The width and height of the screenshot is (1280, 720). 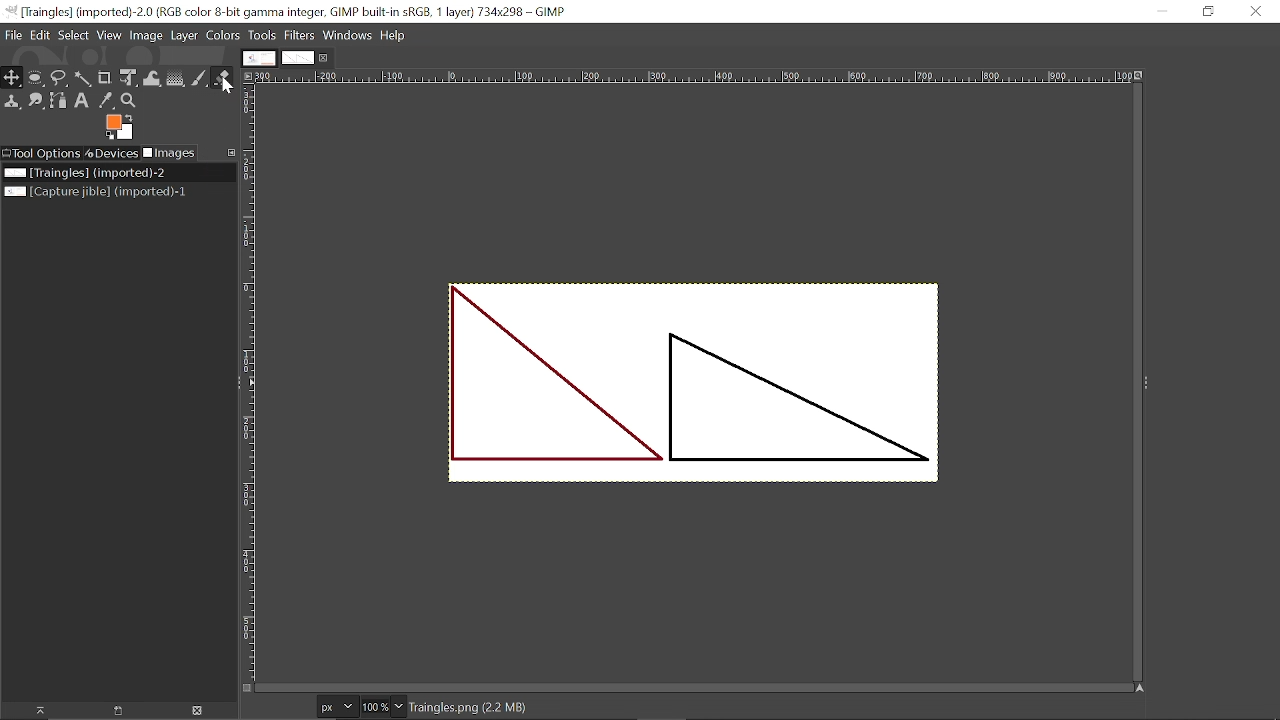 What do you see at coordinates (374, 707) in the screenshot?
I see `Current zoom` at bounding box center [374, 707].